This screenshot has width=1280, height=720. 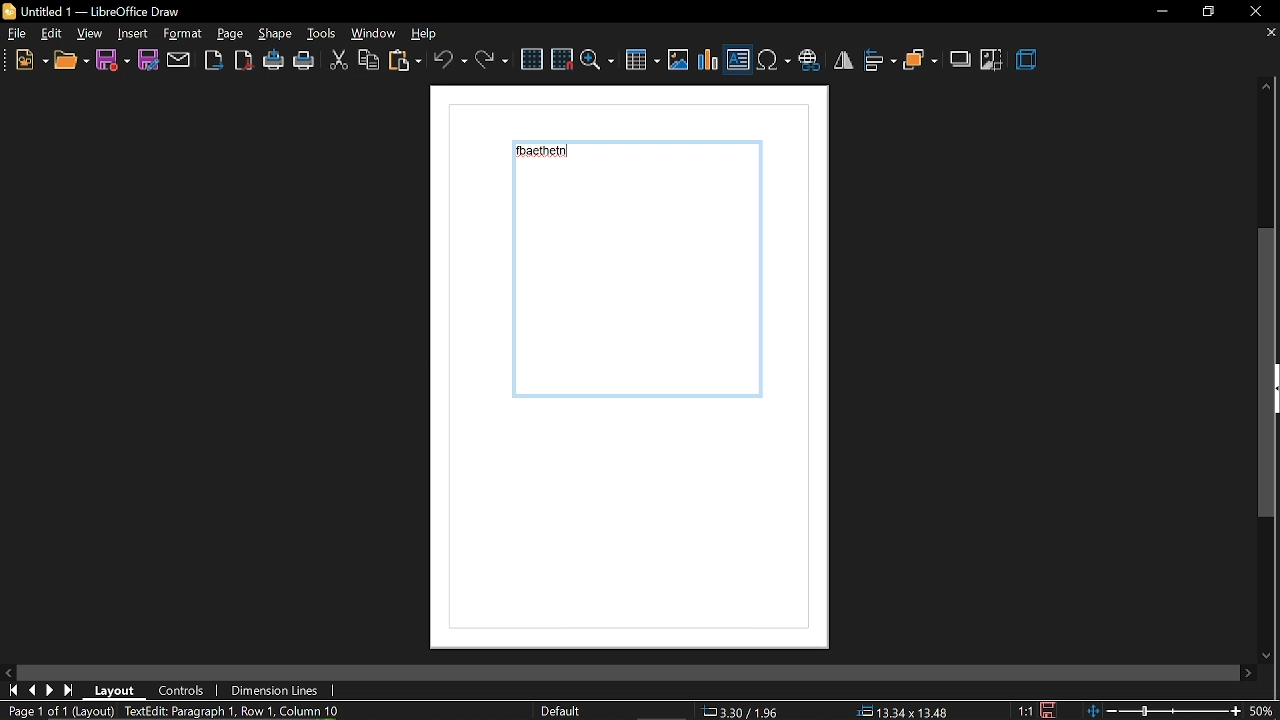 What do you see at coordinates (642, 61) in the screenshot?
I see `Insert table` at bounding box center [642, 61].